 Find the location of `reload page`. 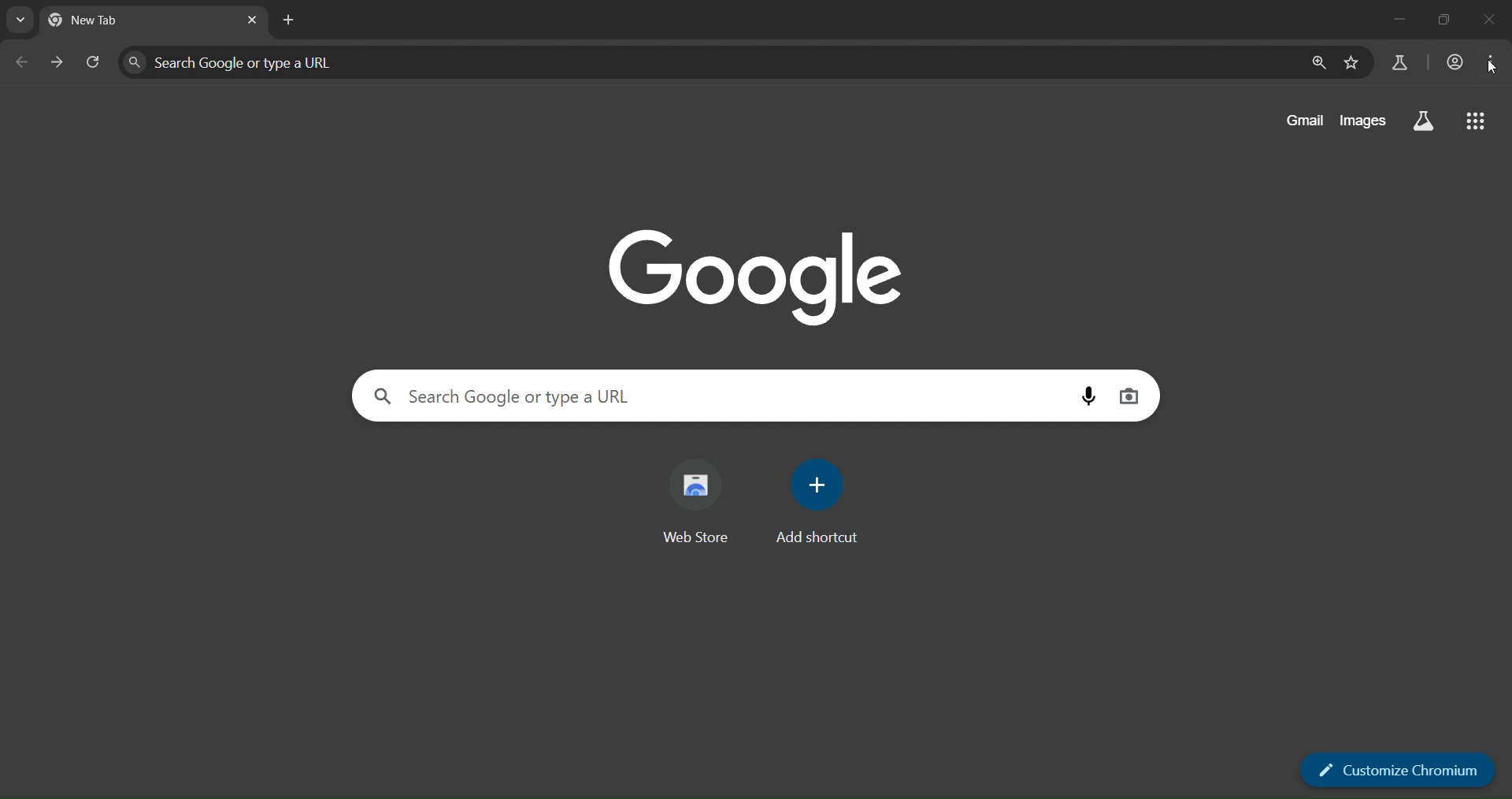

reload page is located at coordinates (95, 65).